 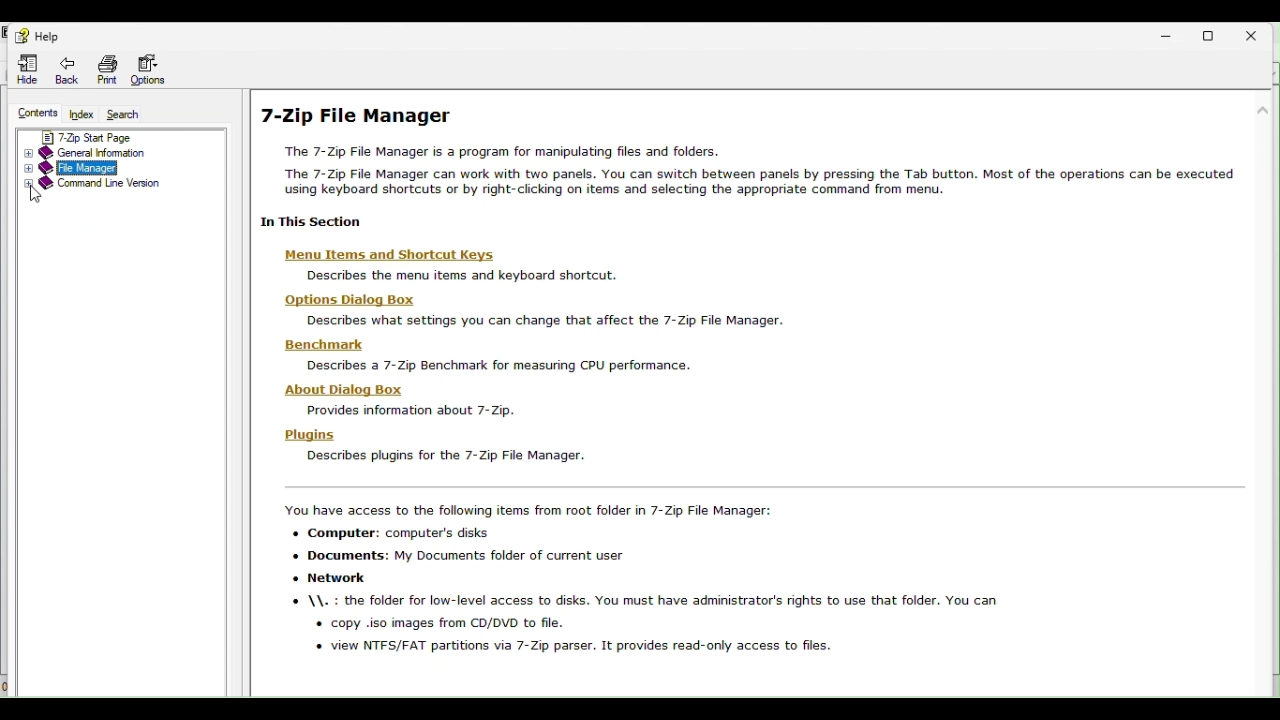 I want to click on File manager, so click(x=110, y=166).